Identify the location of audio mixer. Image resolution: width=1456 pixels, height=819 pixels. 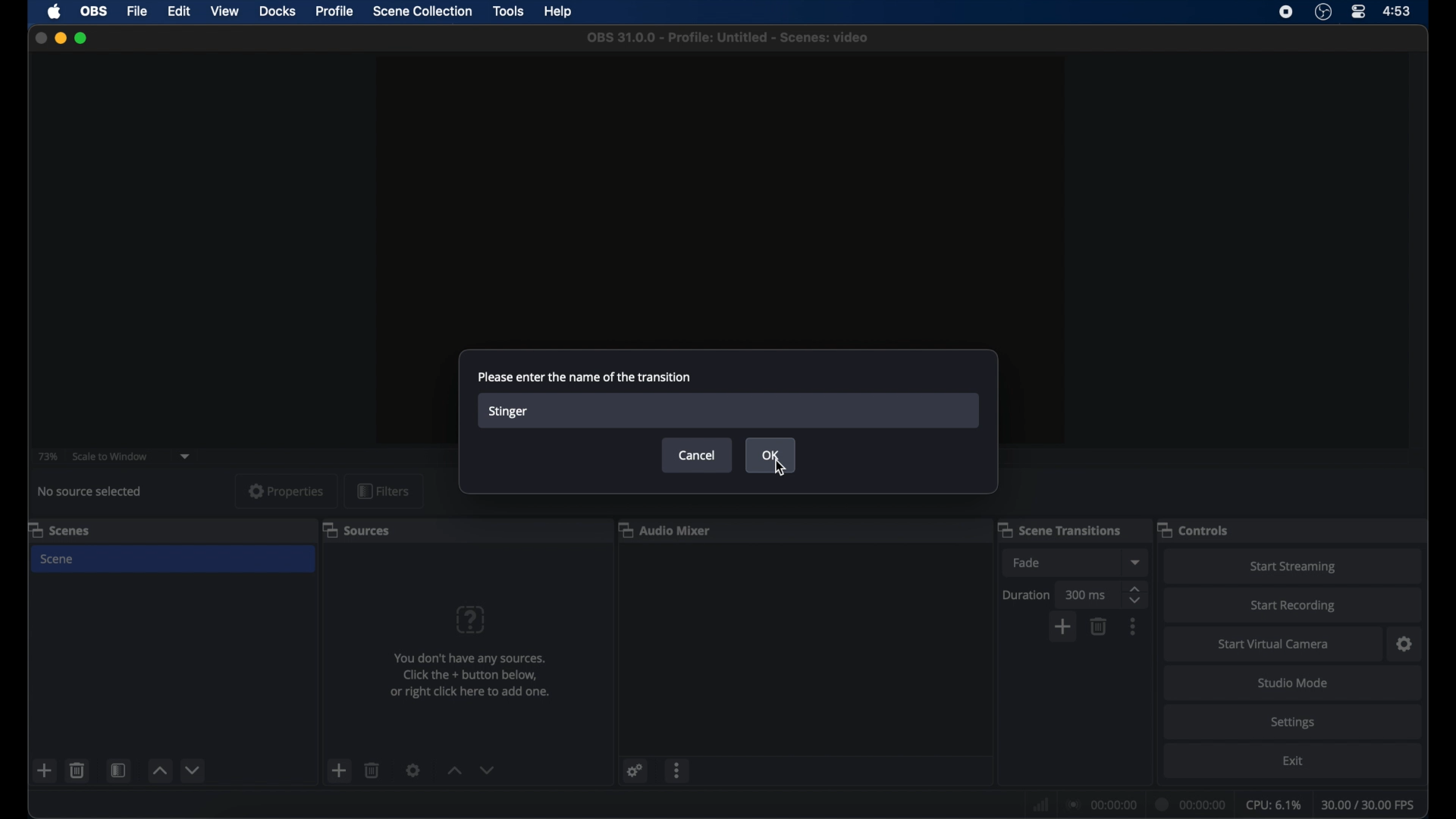
(665, 531).